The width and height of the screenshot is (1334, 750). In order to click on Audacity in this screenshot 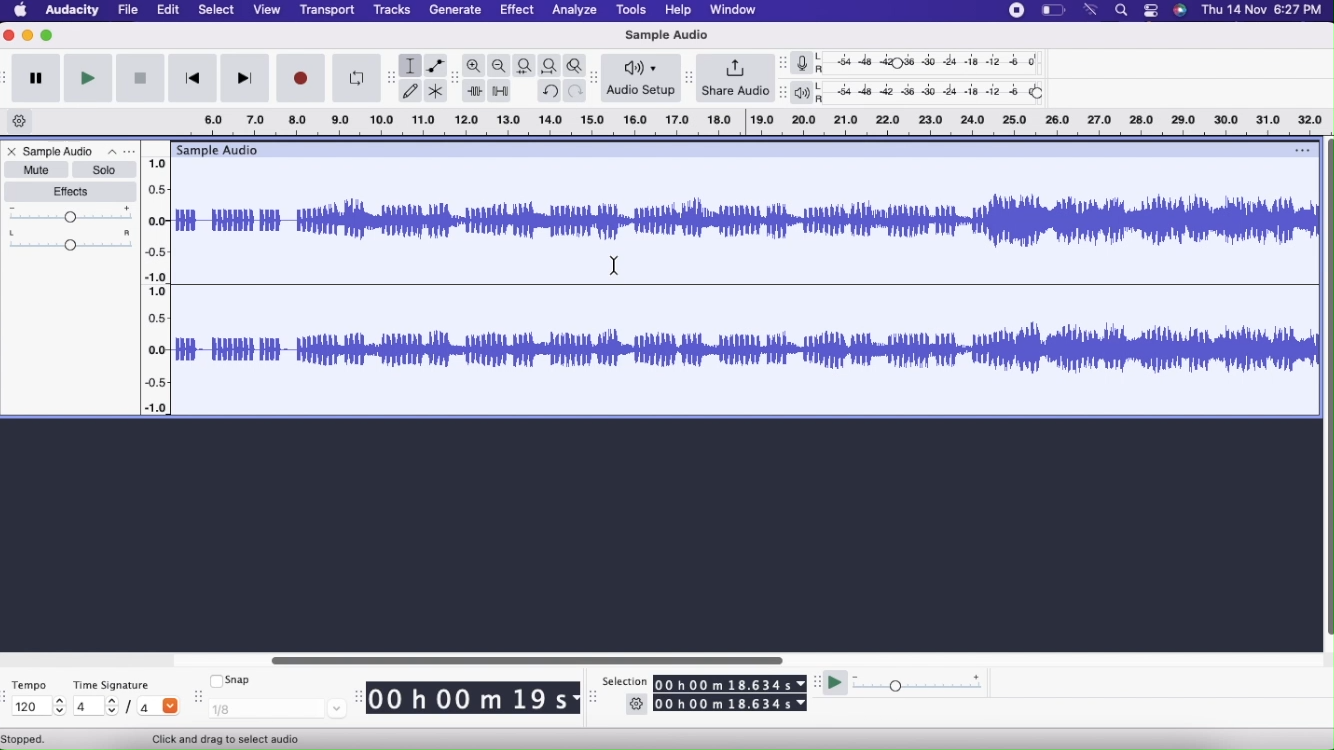, I will do `click(75, 10)`.